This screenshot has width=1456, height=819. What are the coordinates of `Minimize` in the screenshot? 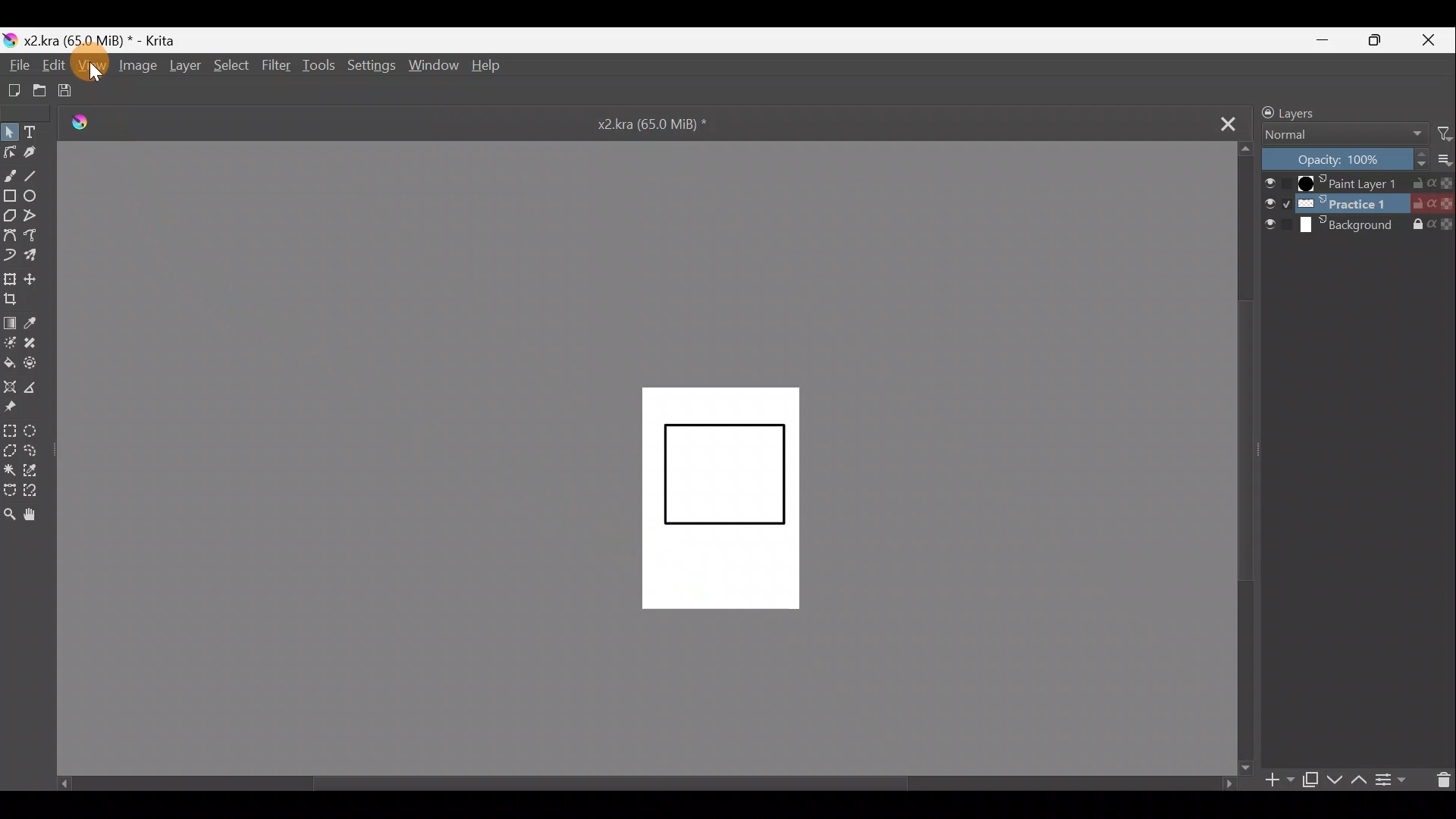 It's located at (1326, 39).